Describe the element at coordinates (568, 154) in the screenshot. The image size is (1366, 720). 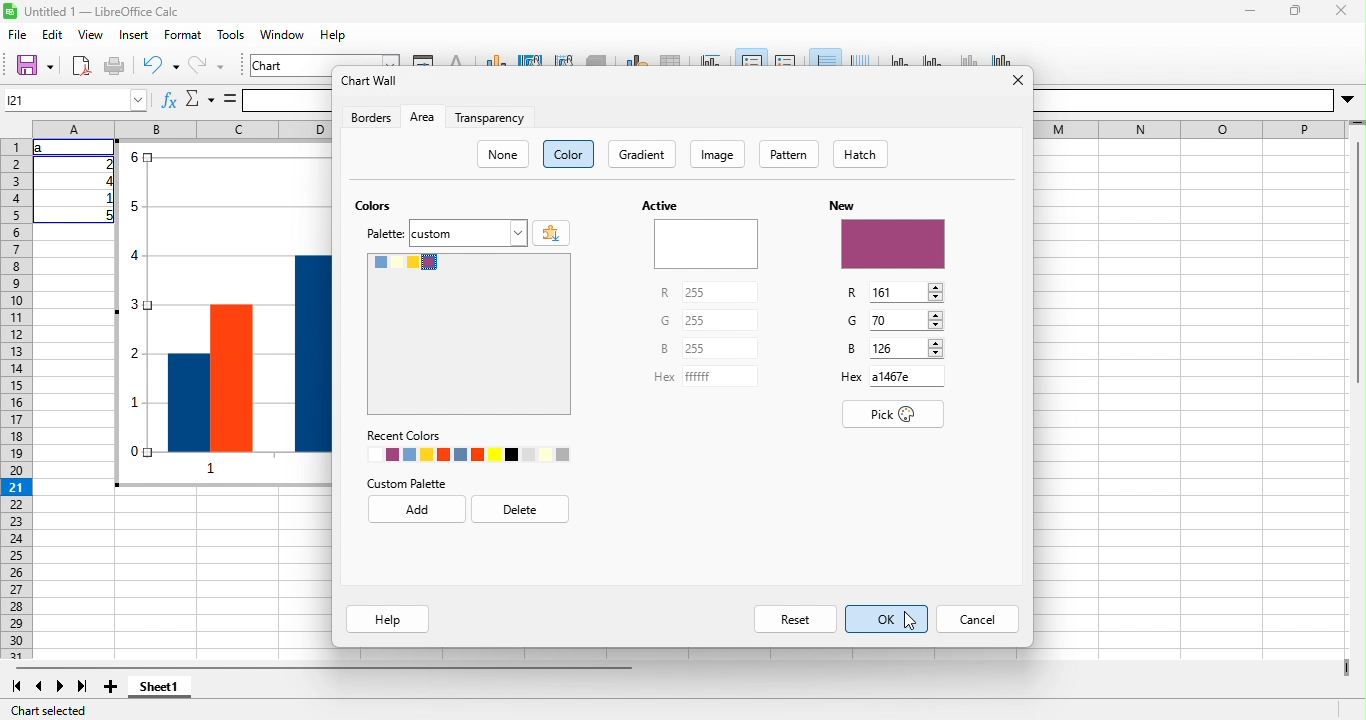
I see `color` at that location.